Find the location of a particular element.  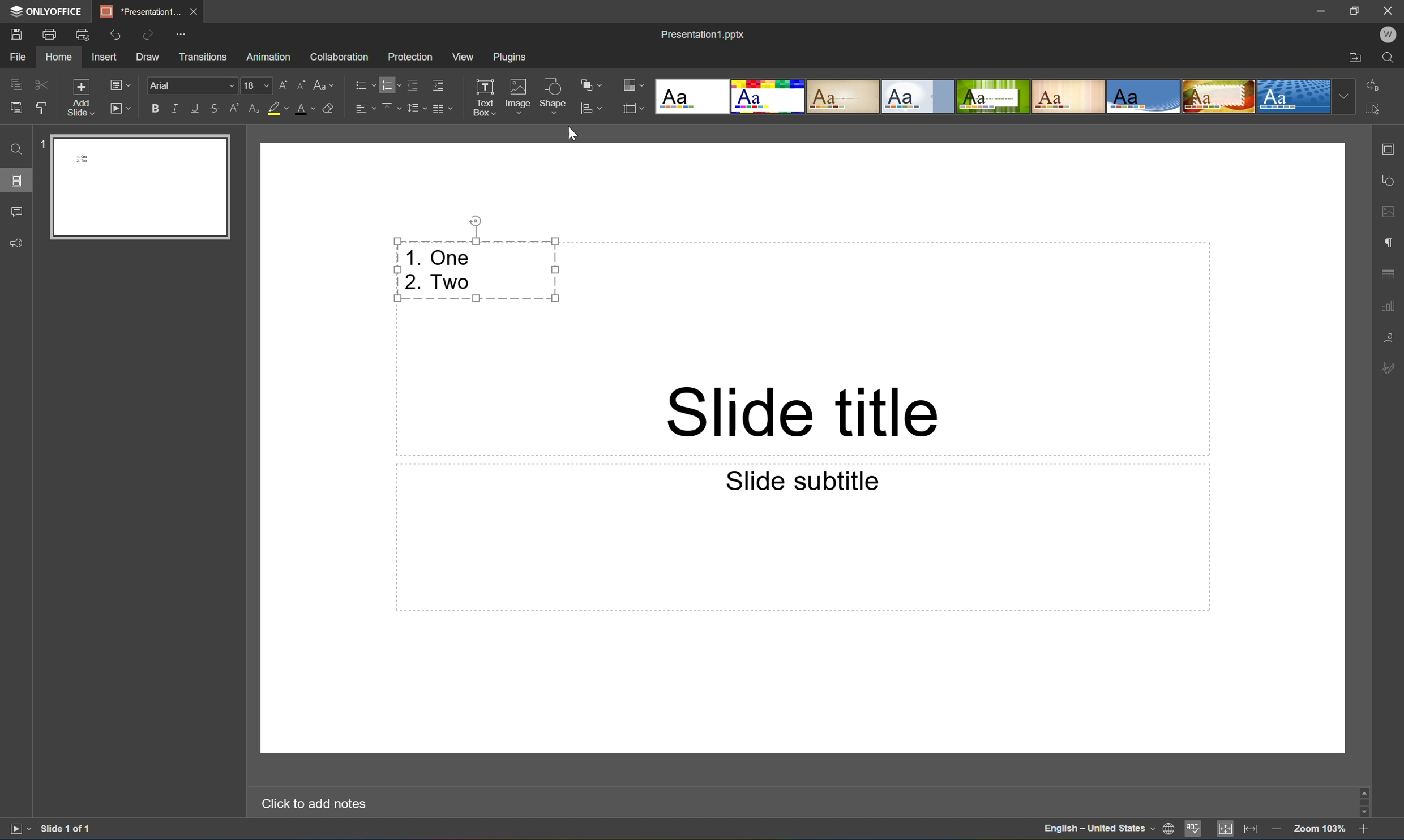

Copy style is located at coordinates (42, 108).